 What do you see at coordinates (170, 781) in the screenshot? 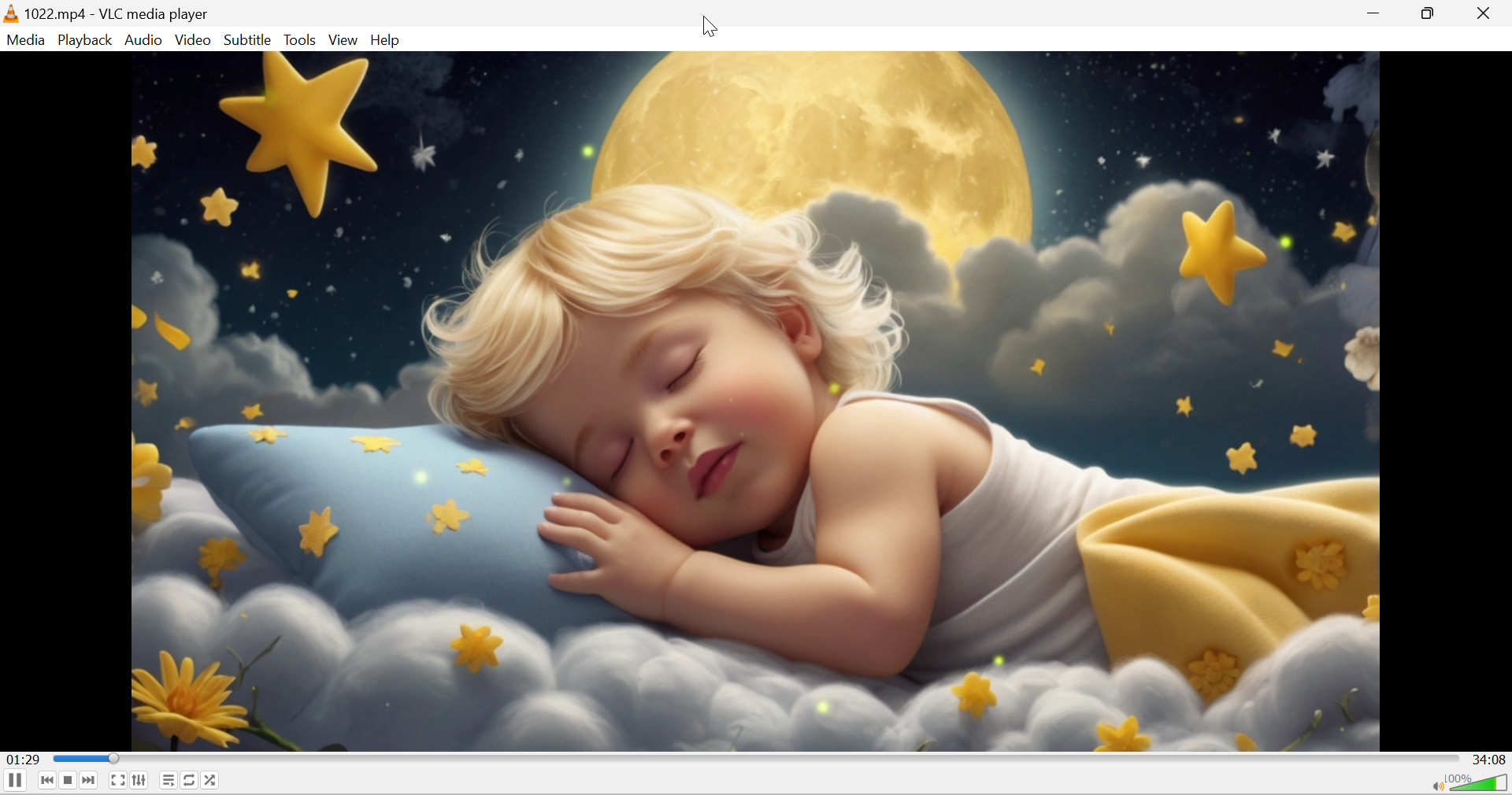
I see `Toggle playlist` at bounding box center [170, 781].